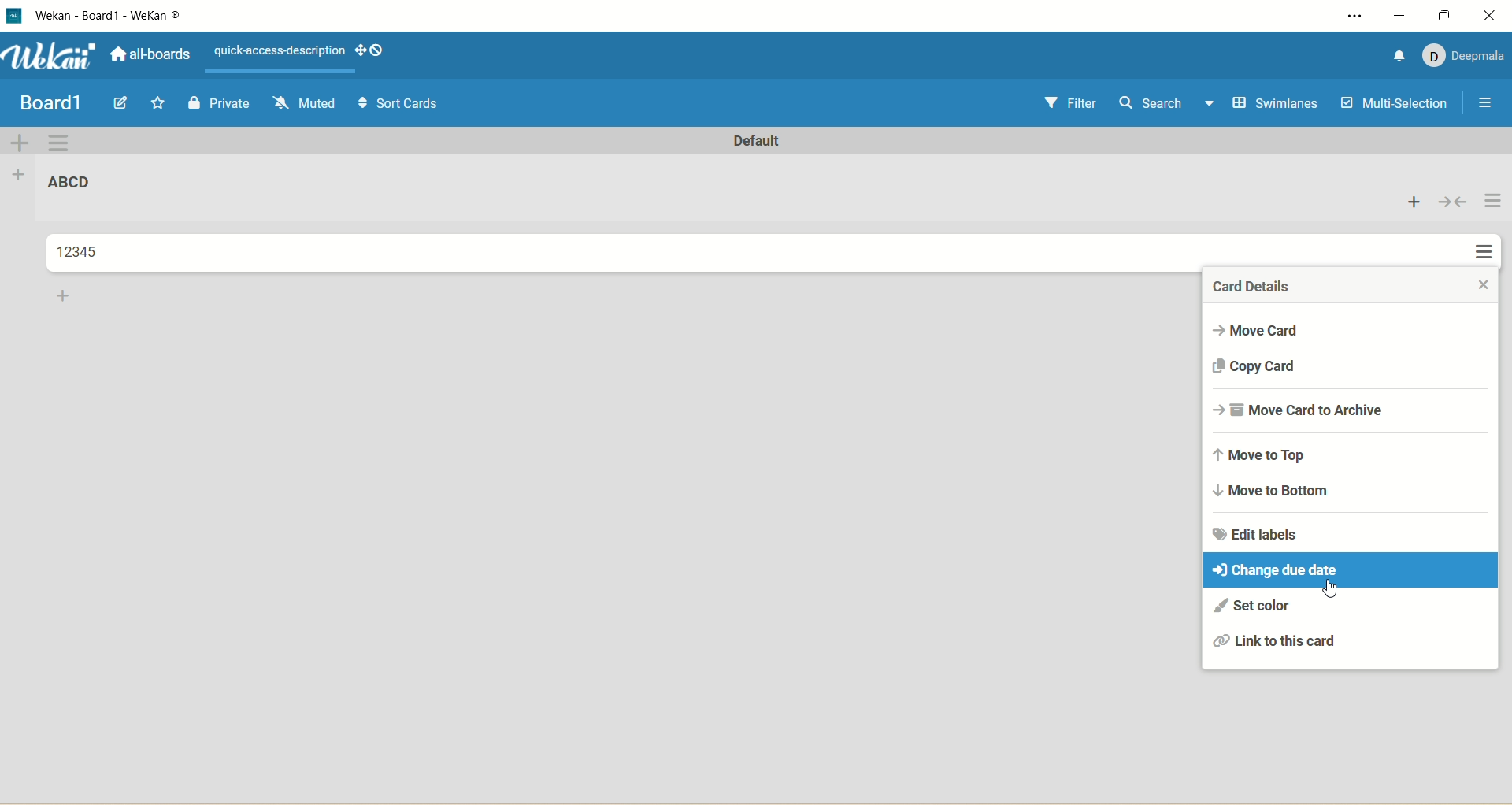  What do you see at coordinates (150, 52) in the screenshot?
I see `all boards` at bounding box center [150, 52].